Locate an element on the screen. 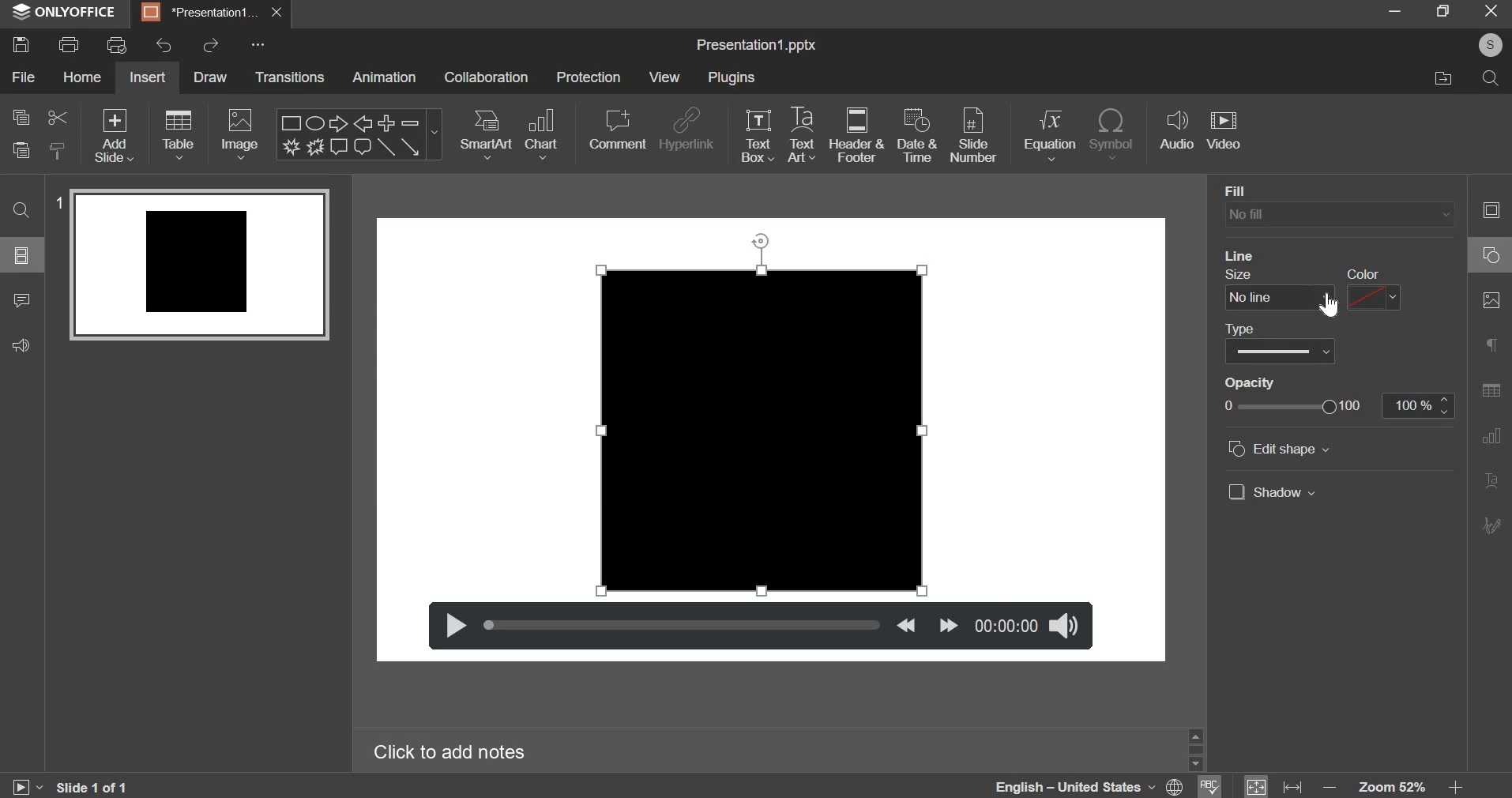 The height and width of the screenshot is (798, 1512). Forward fee shape is located at coordinates (316, 147).